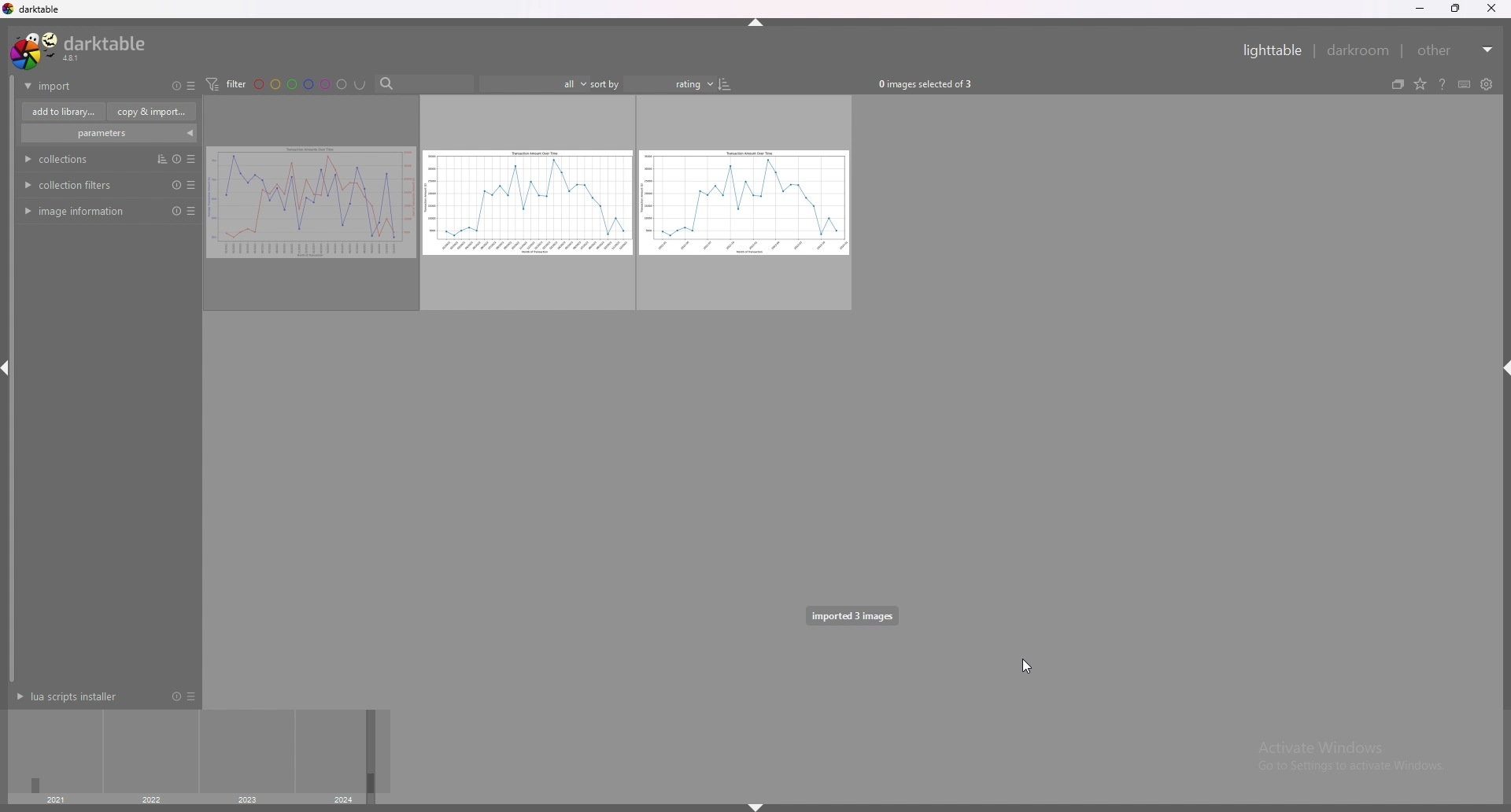  I want to click on include color label, so click(360, 84).